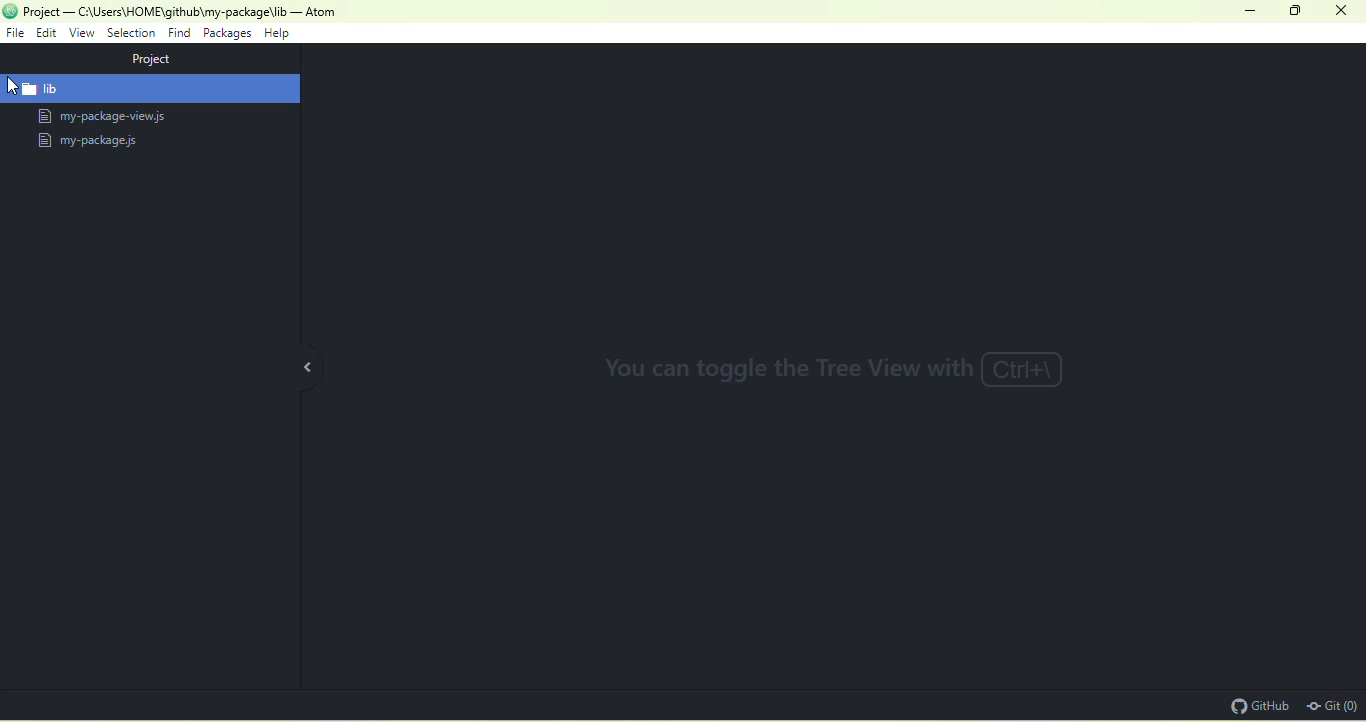 Image resolution: width=1366 pixels, height=722 pixels. What do you see at coordinates (10, 11) in the screenshot?
I see `atom icon` at bounding box center [10, 11].